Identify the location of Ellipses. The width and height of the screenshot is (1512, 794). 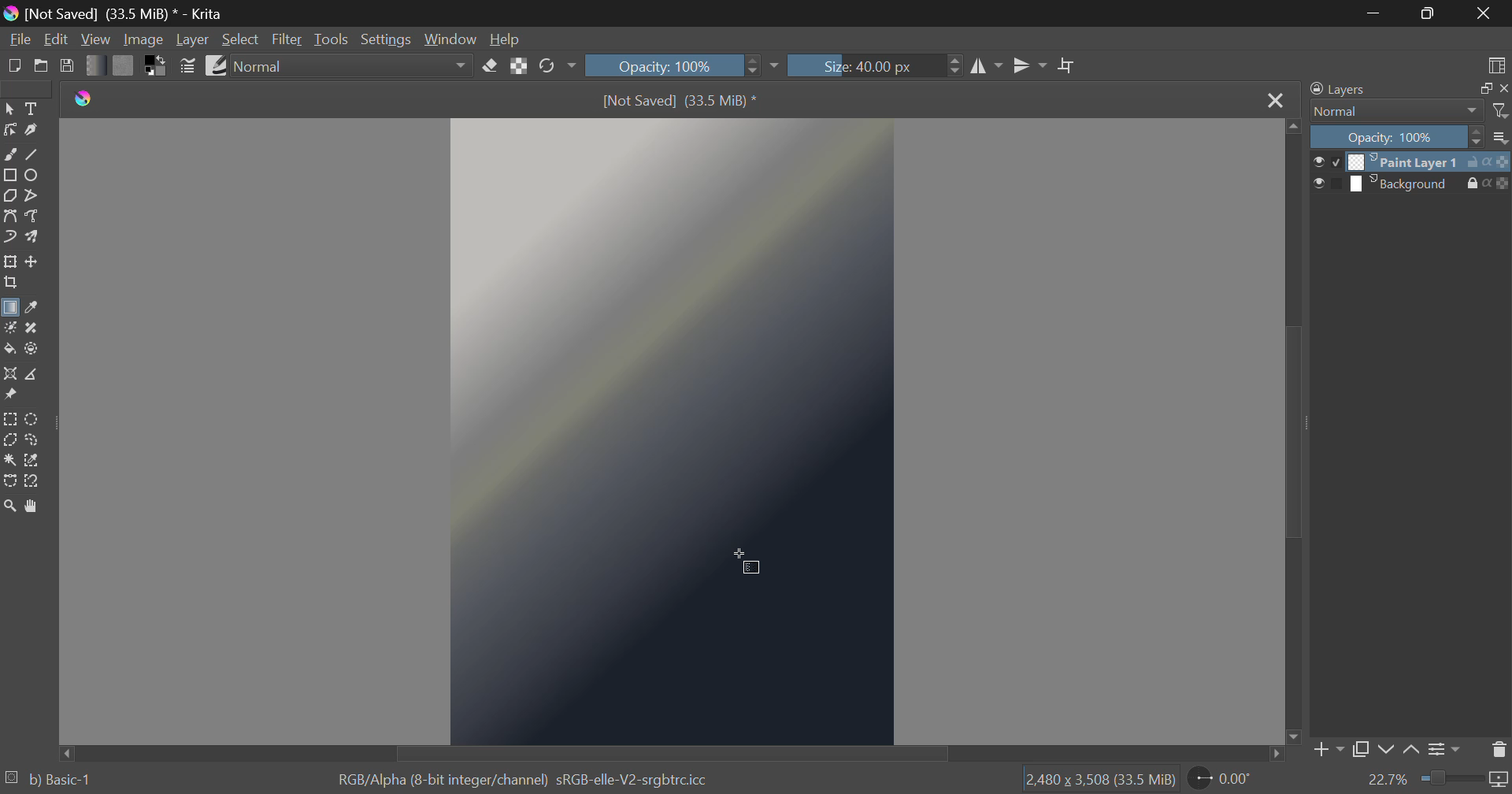
(32, 175).